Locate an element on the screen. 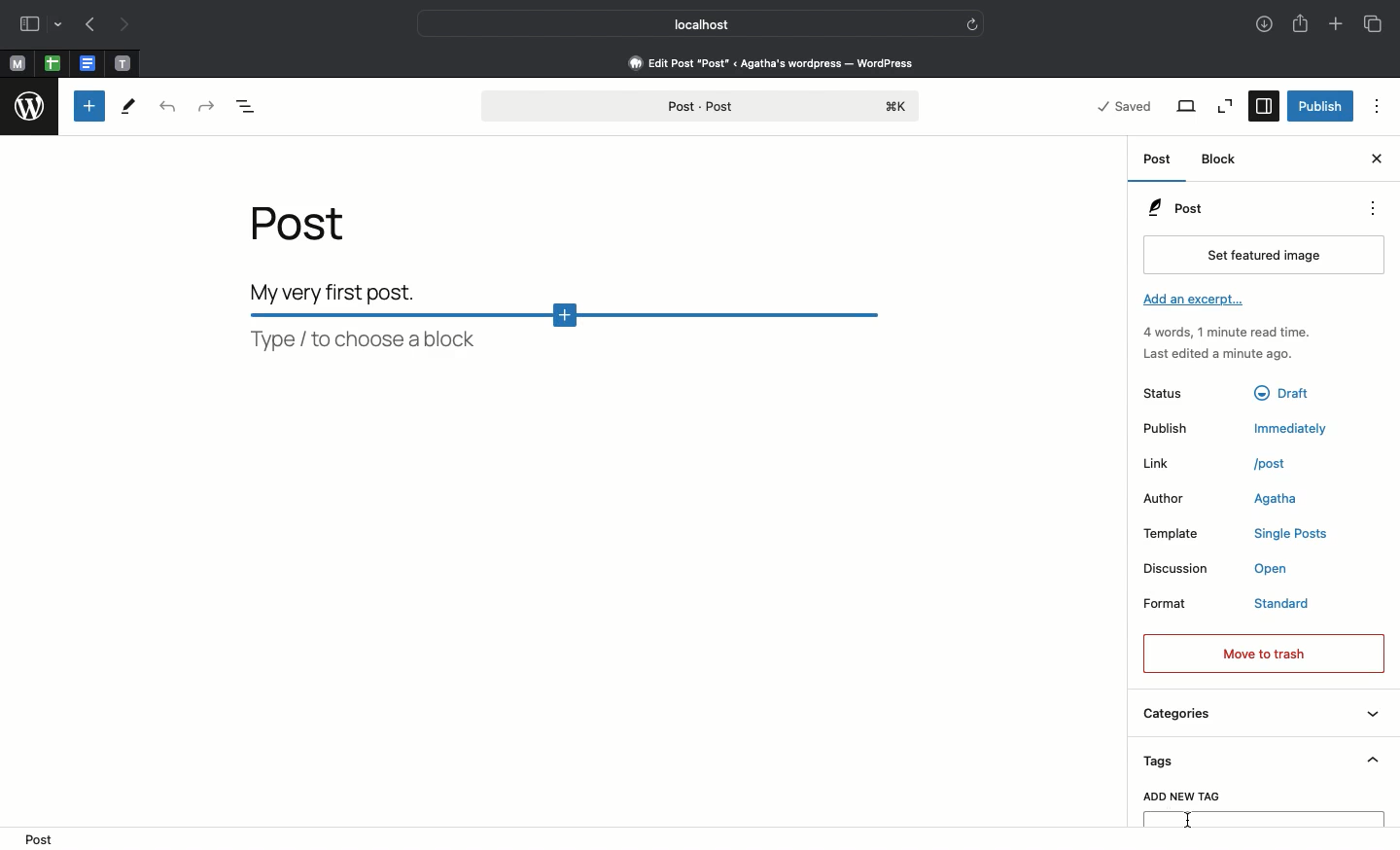 This screenshot has height=850, width=1400. Block is located at coordinates (1224, 159).